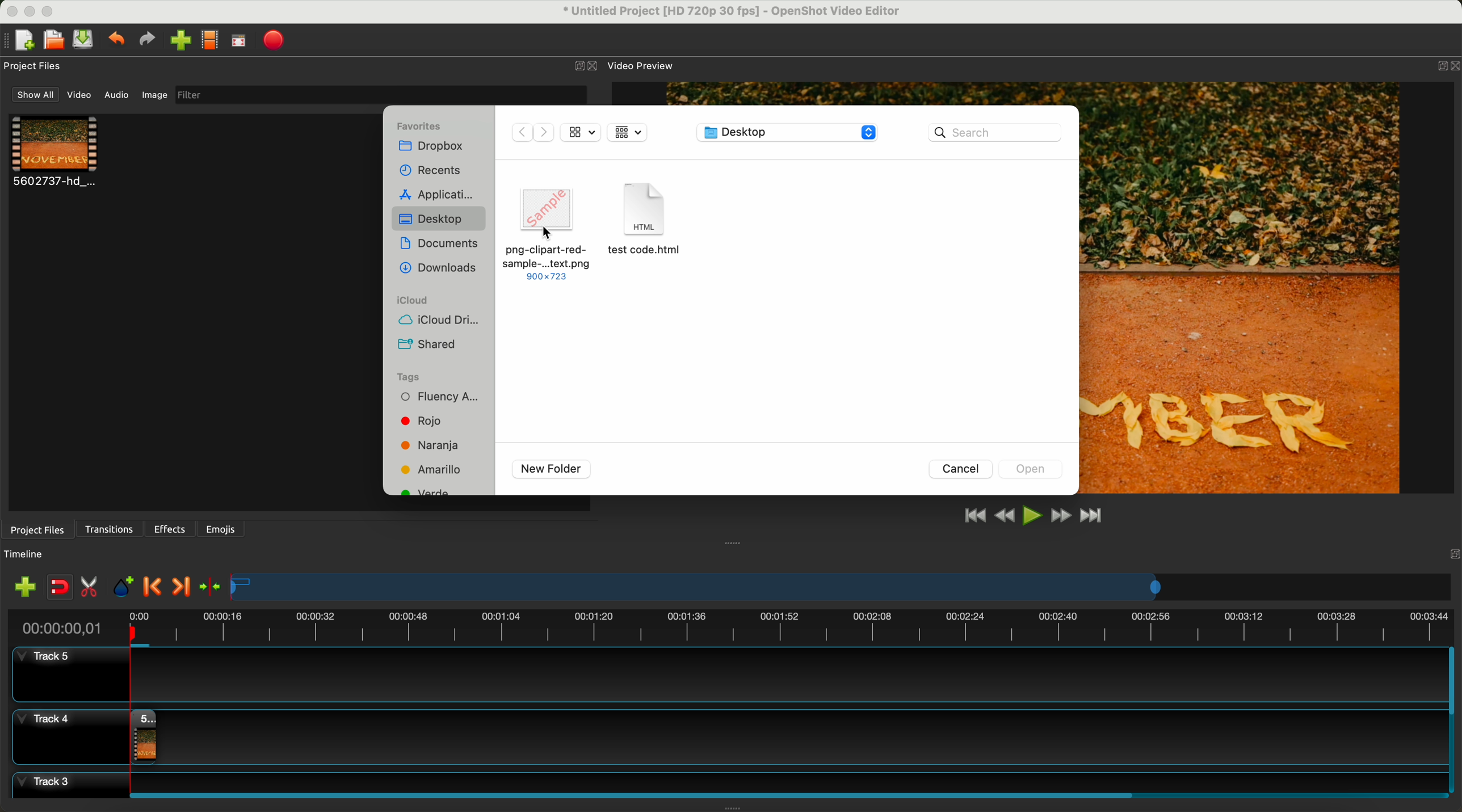  I want to click on redo, so click(150, 41).